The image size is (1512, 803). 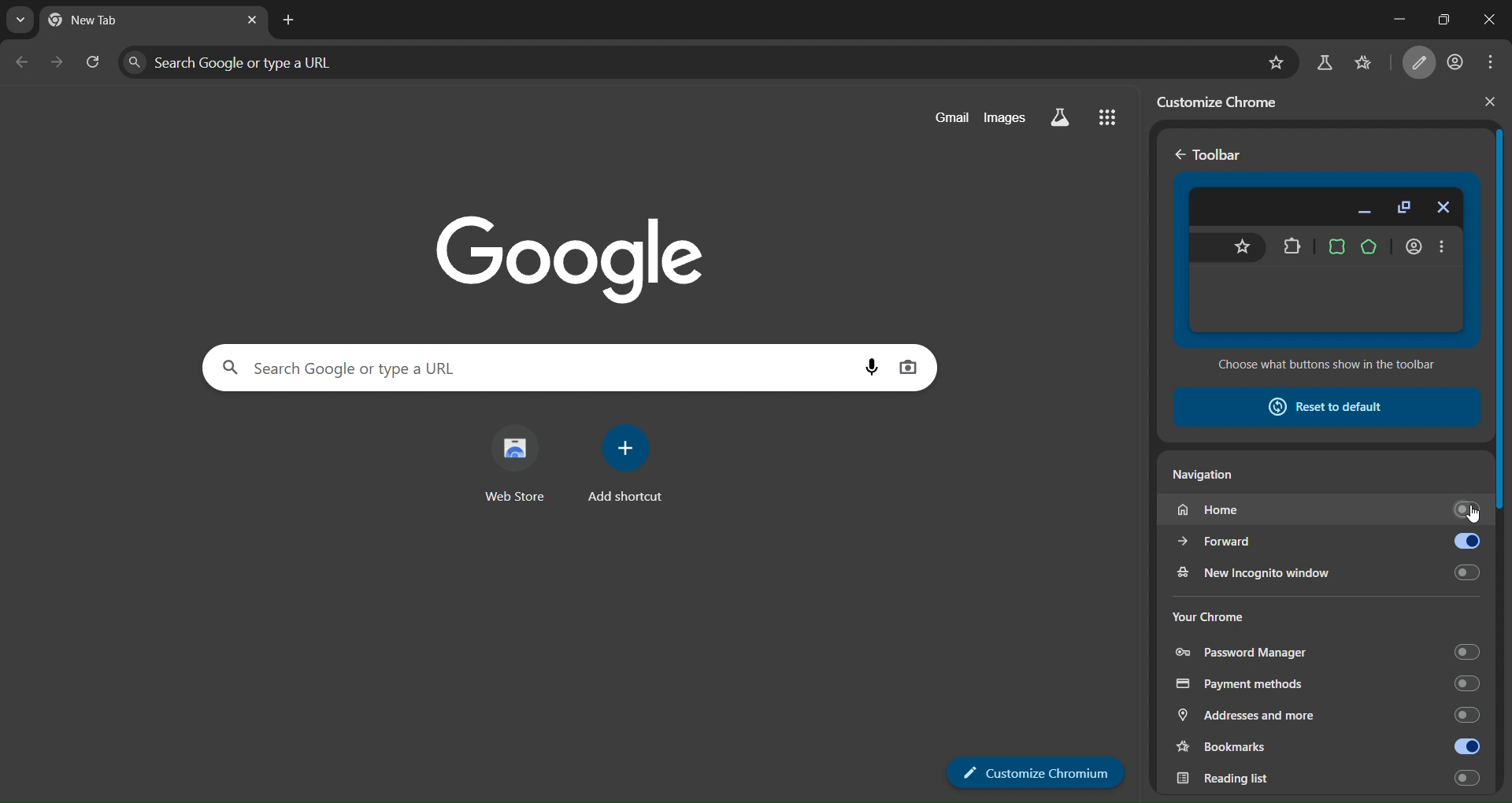 I want to click on password manager, so click(x=1325, y=651).